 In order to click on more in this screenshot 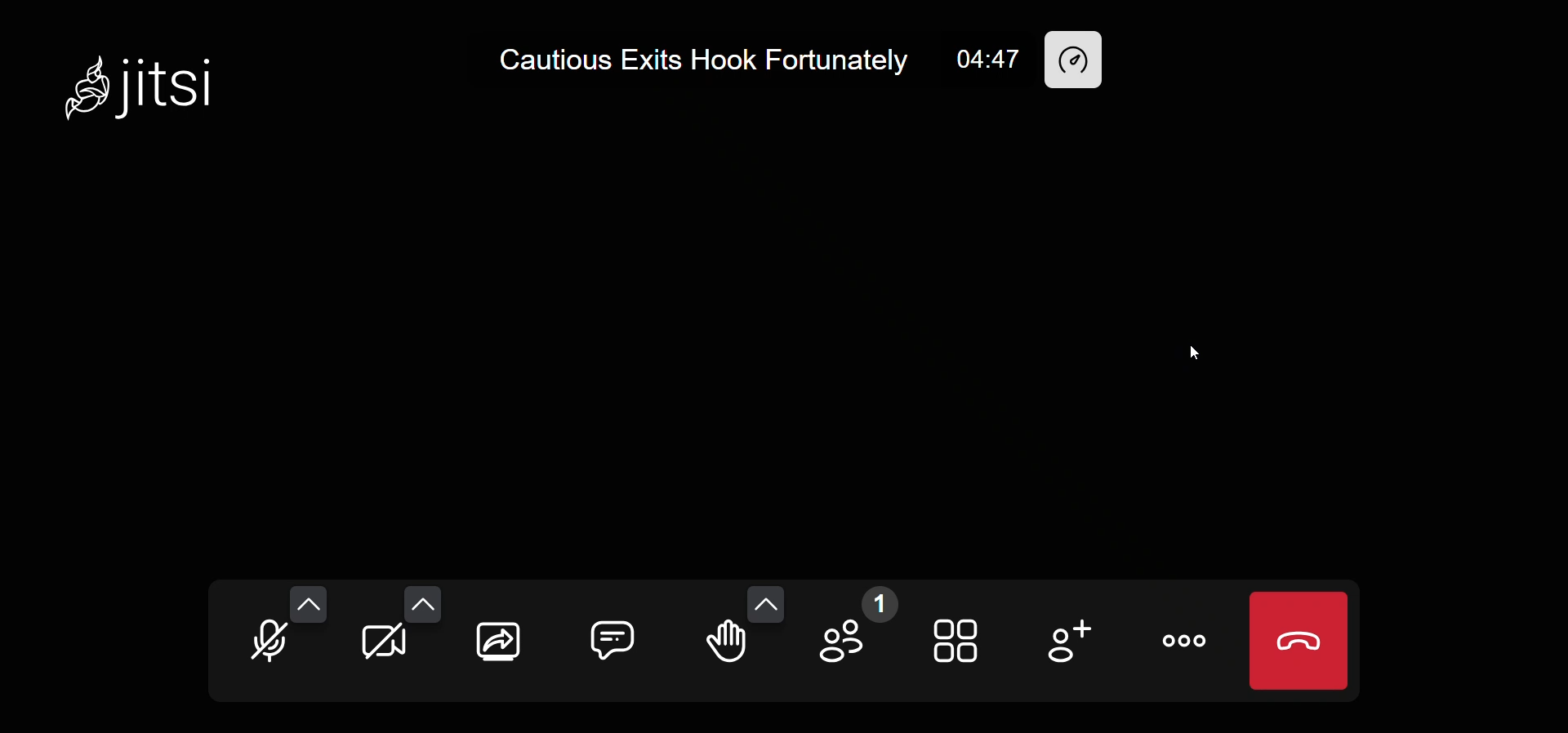, I will do `click(1186, 637)`.